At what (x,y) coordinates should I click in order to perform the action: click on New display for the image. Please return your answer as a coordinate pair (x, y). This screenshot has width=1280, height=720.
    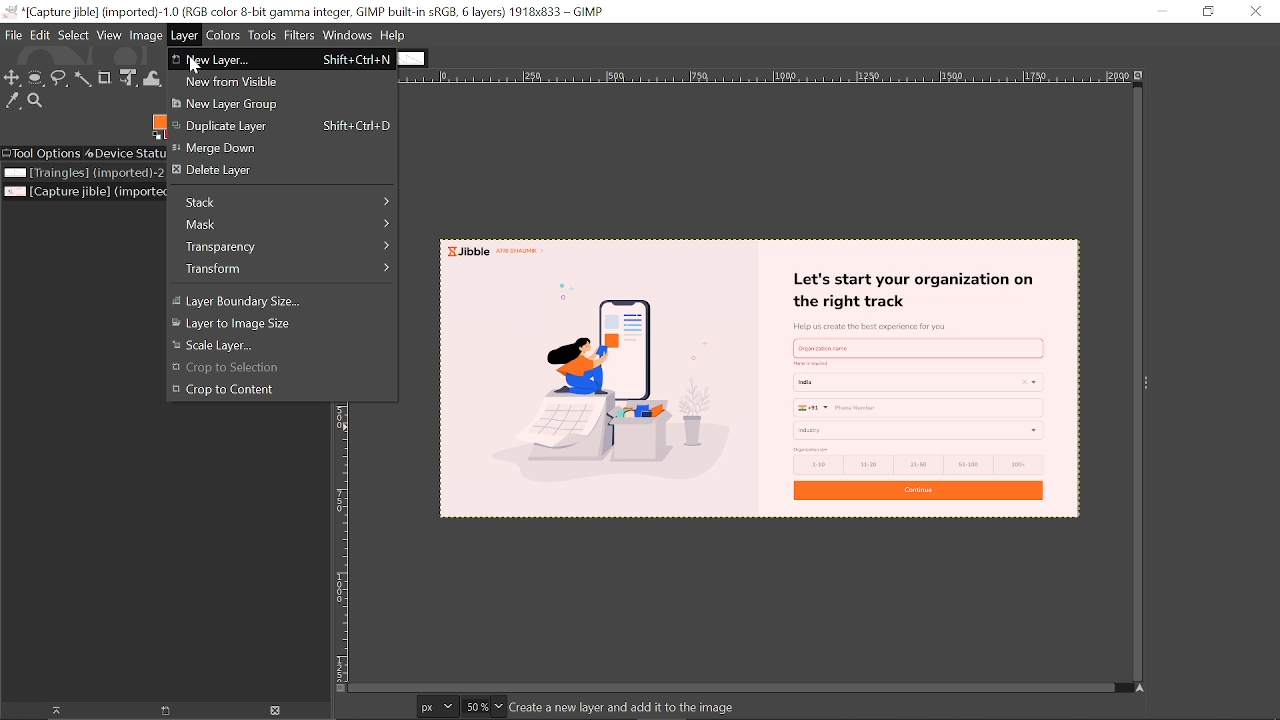
    Looking at the image, I should click on (156, 712).